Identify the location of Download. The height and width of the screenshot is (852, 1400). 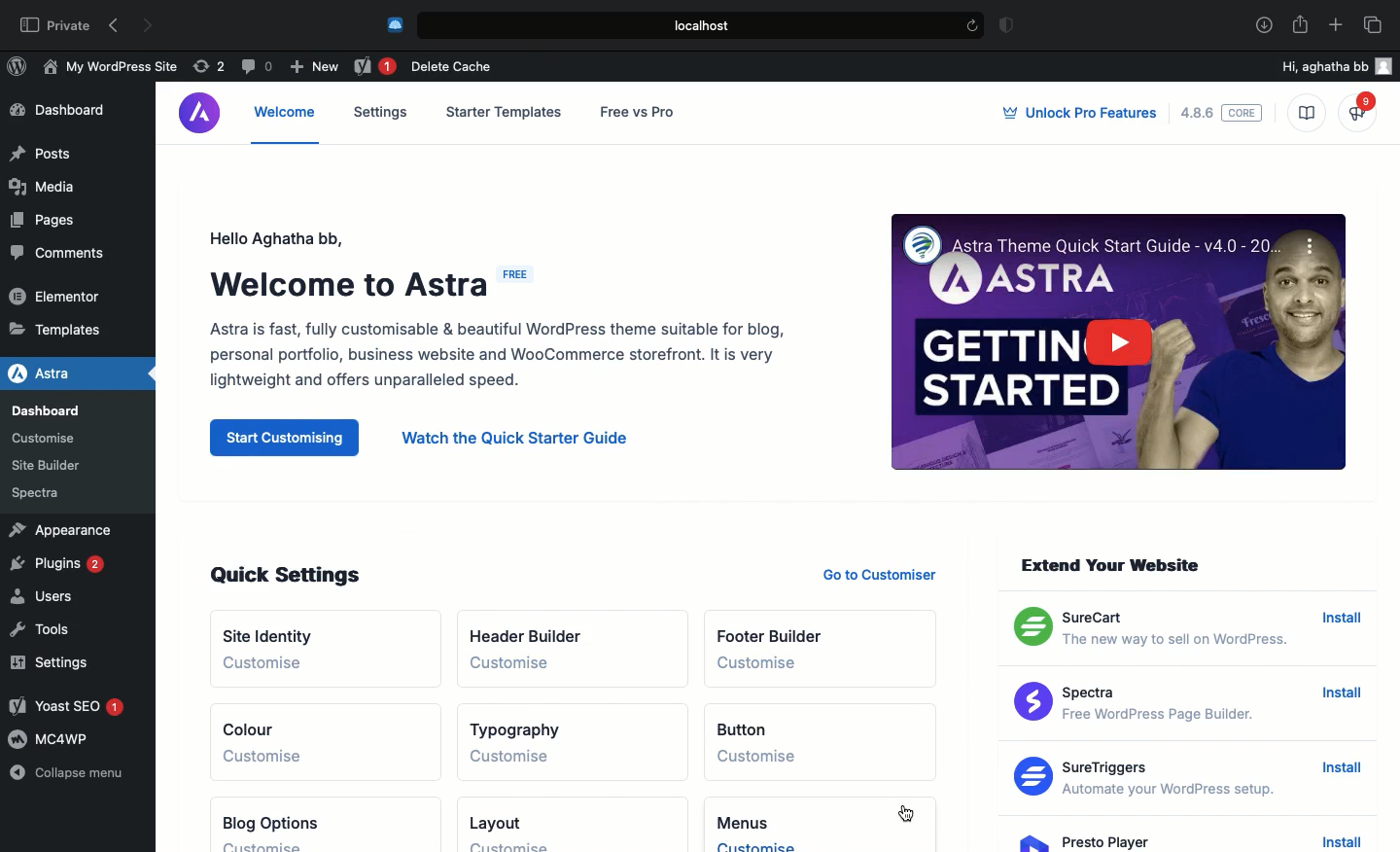
(1265, 25).